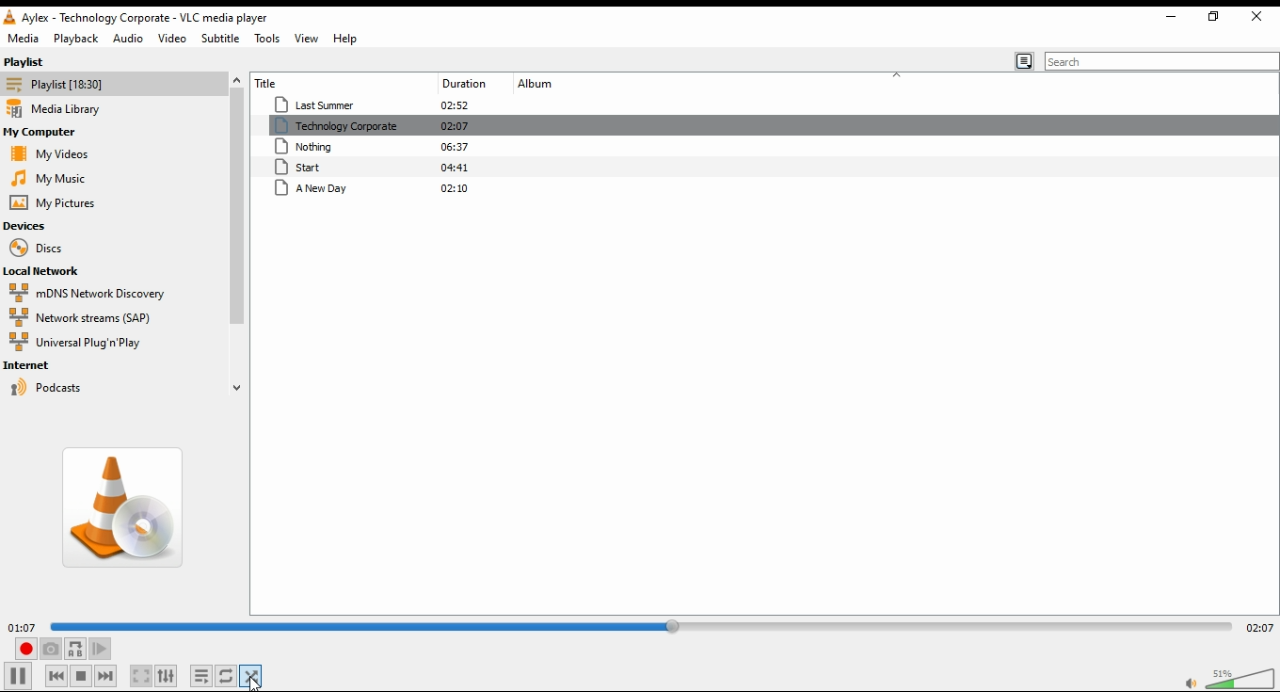 The image size is (1280, 692). Describe the element at coordinates (77, 38) in the screenshot. I see `playback` at that location.